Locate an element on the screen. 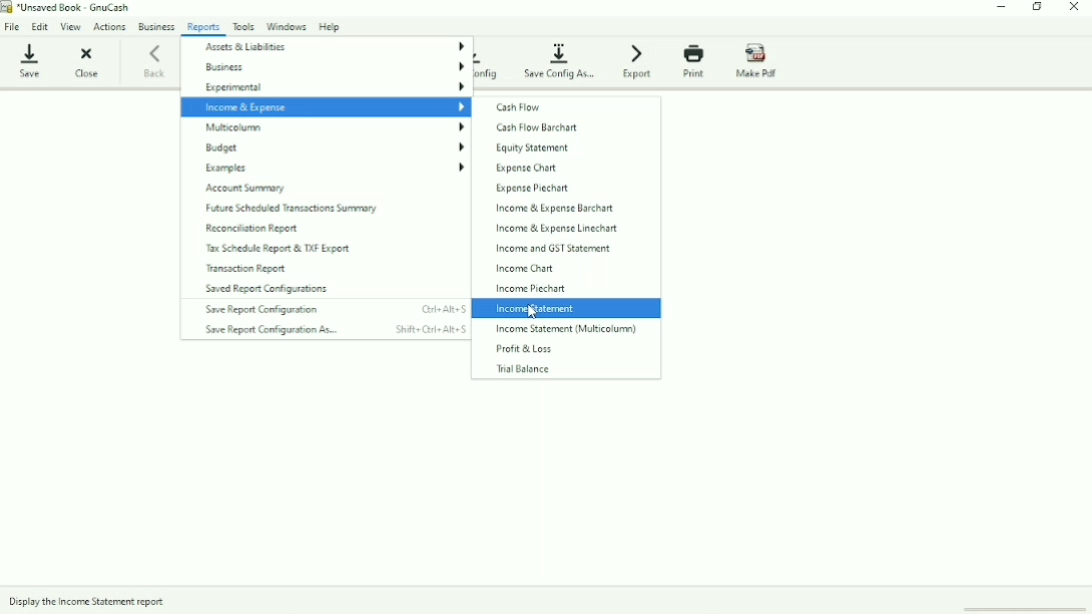  Cursor is located at coordinates (533, 312).